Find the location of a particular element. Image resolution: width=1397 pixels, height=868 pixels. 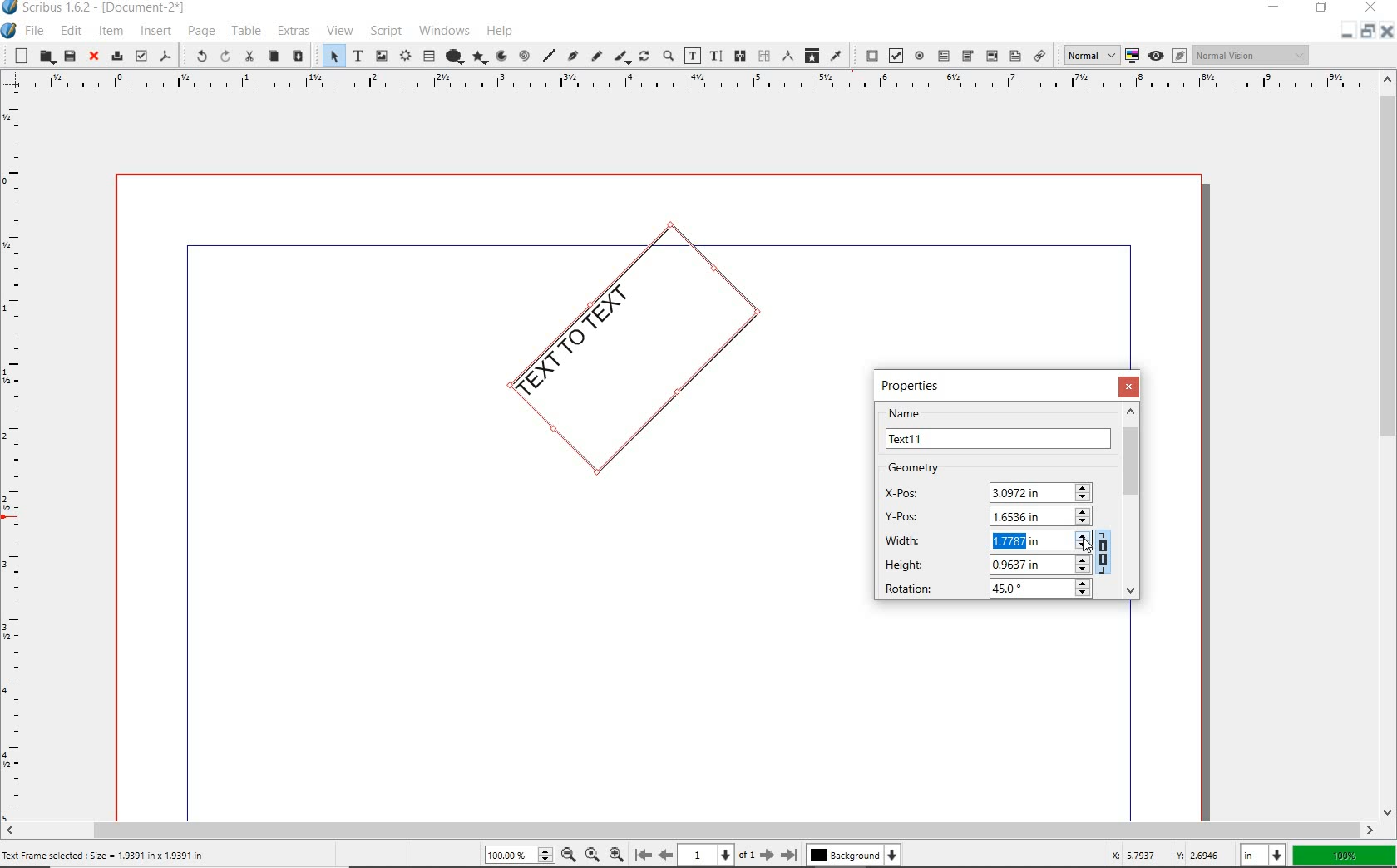

select item is located at coordinates (330, 55).